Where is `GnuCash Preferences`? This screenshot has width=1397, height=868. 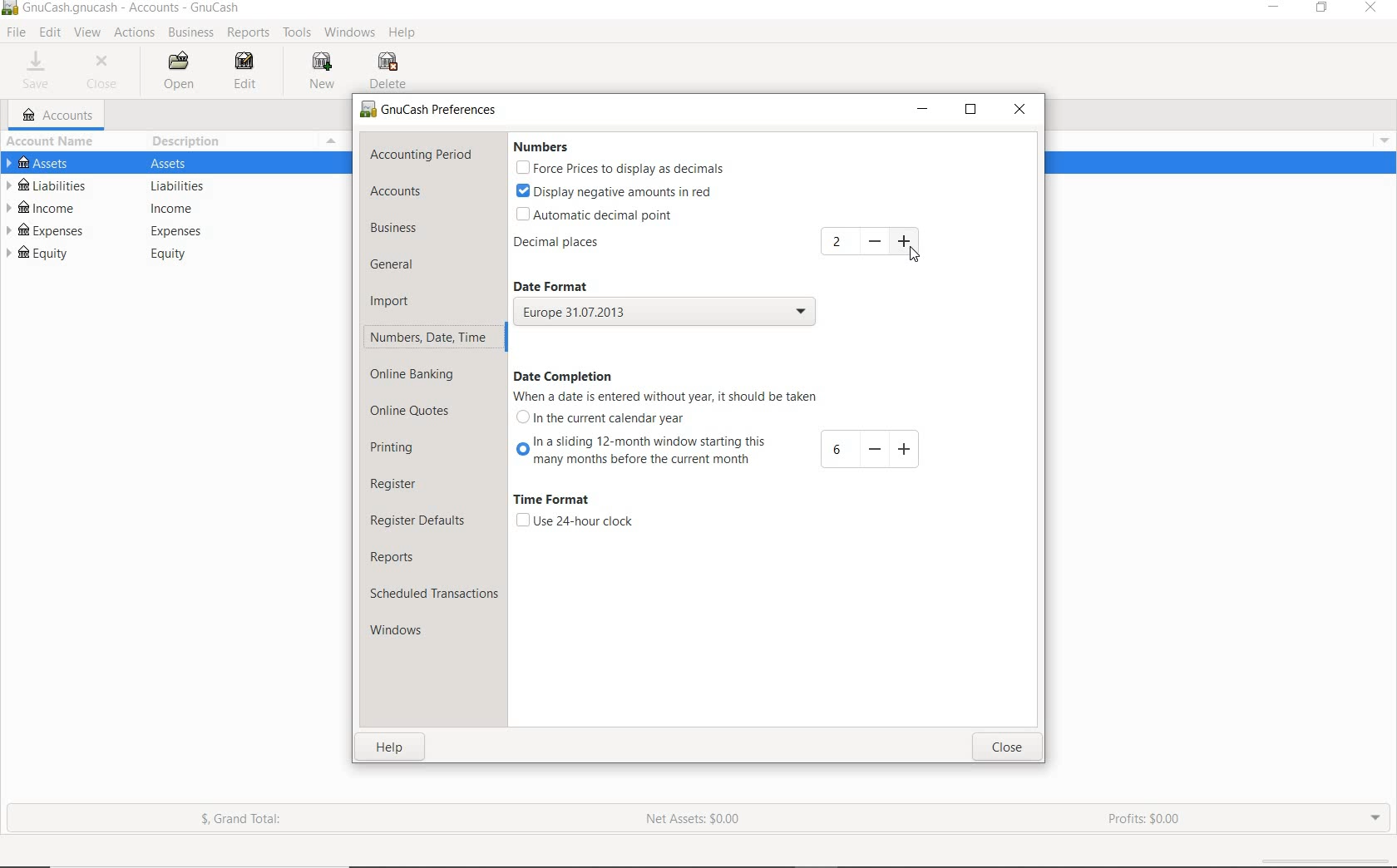
GnuCash Preferences is located at coordinates (430, 111).